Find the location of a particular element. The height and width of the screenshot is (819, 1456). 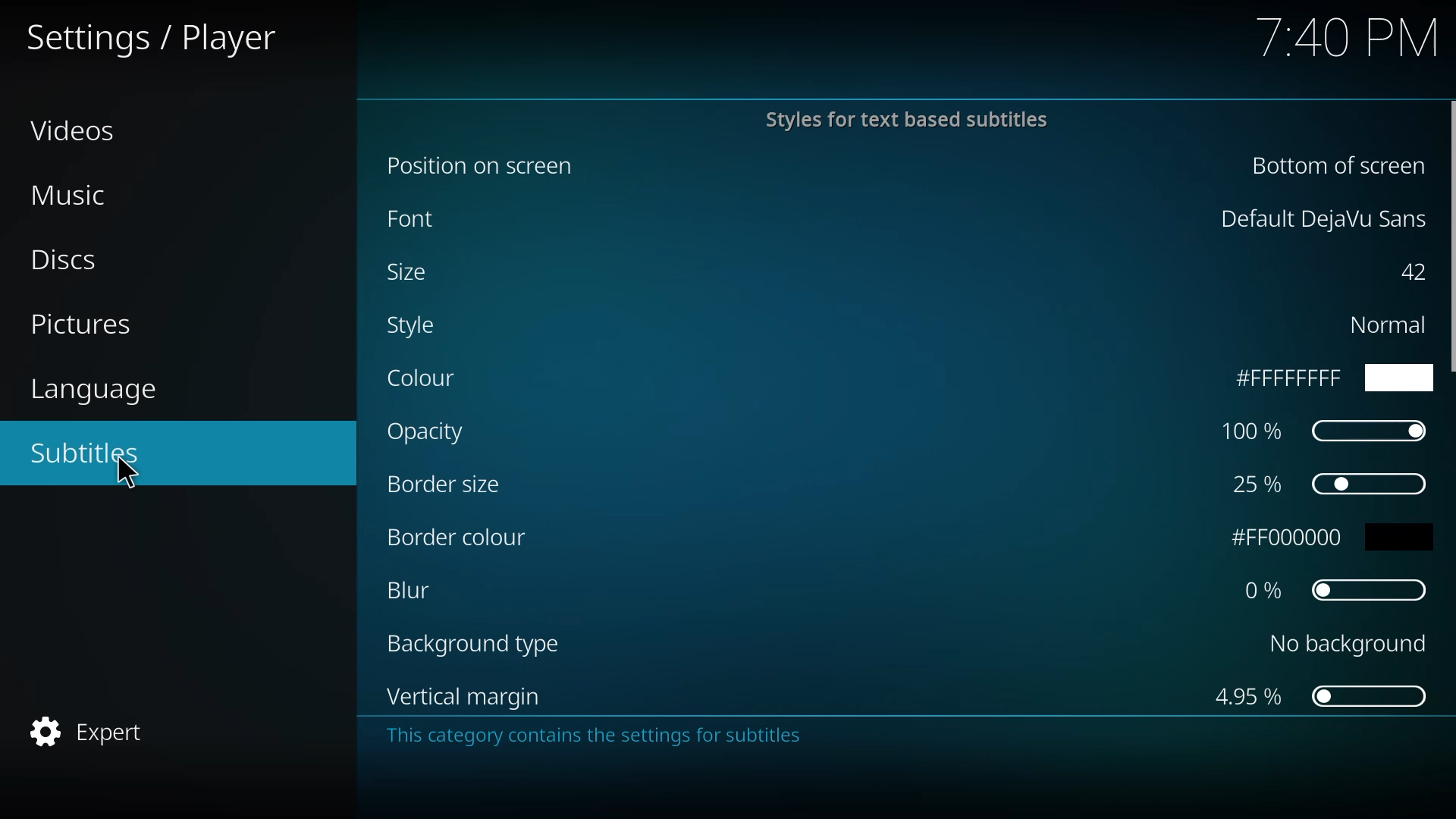

25 is located at coordinates (1325, 484).